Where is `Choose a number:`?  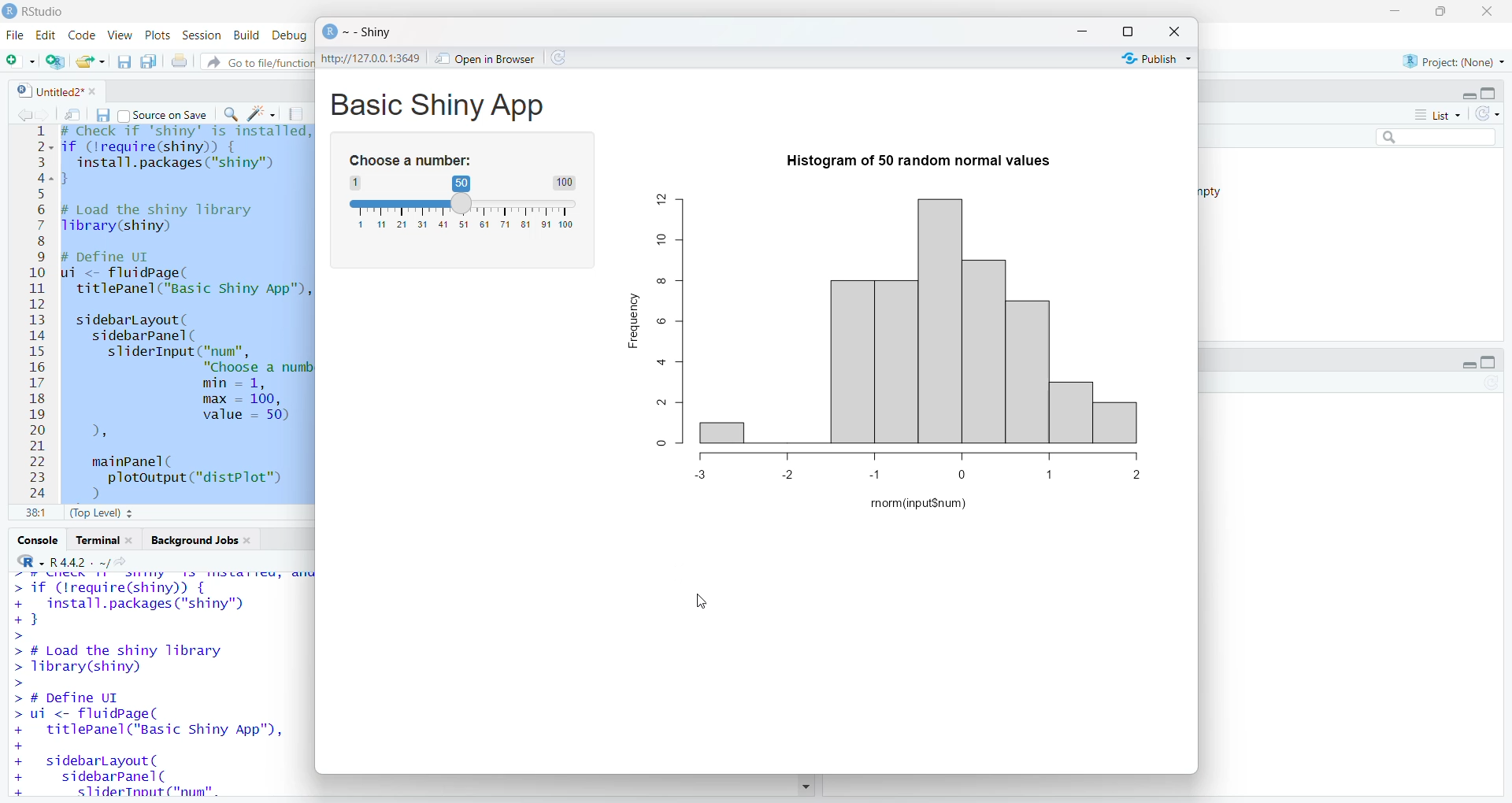 Choose a number: is located at coordinates (410, 161).